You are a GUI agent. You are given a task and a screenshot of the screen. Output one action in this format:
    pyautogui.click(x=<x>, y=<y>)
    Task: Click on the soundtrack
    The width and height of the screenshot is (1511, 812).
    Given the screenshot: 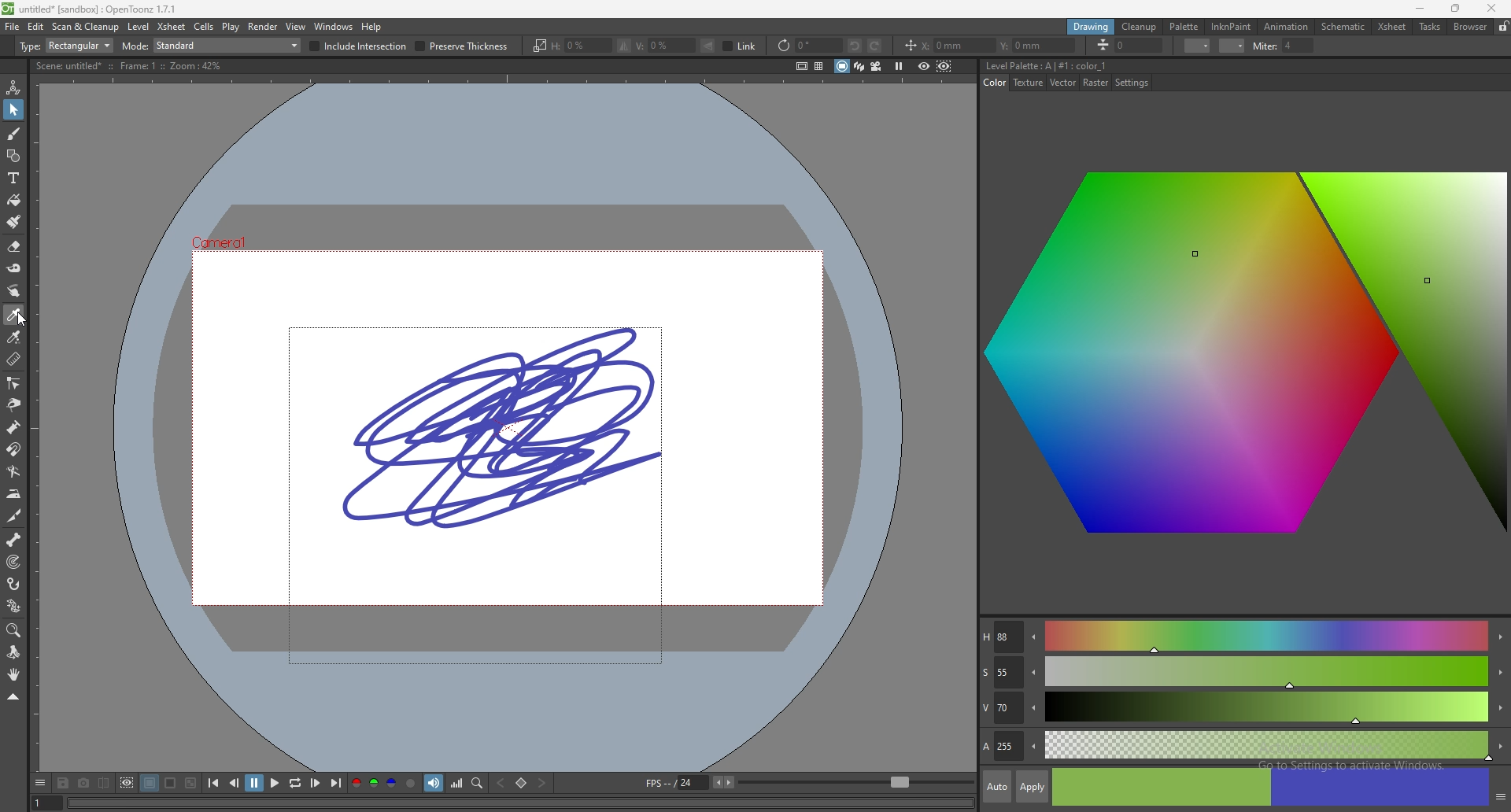 What is the action you would take?
    pyautogui.click(x=434, y=782)
    